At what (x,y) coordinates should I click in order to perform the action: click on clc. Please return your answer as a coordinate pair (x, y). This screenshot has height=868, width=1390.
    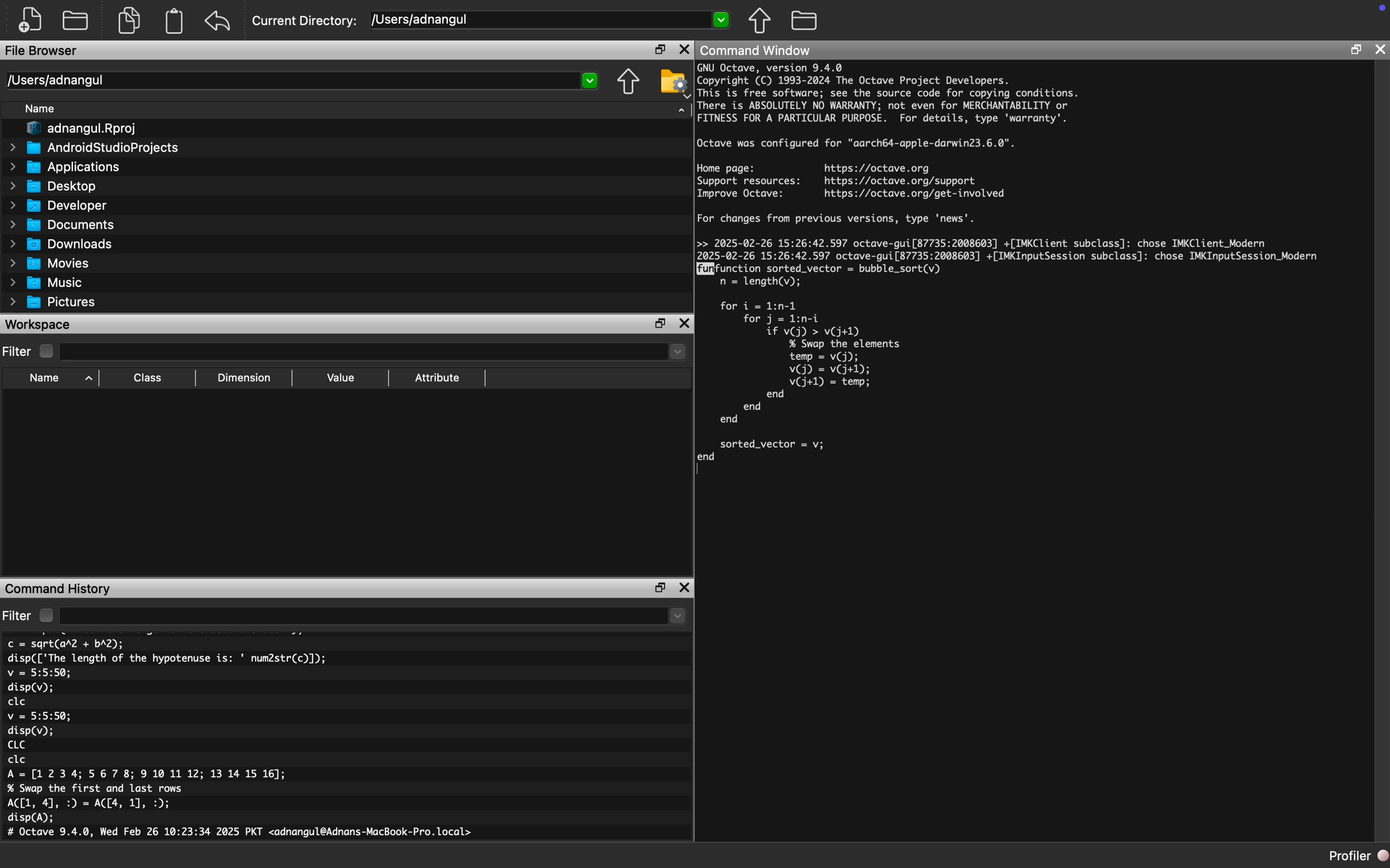
    Looking at the image, I should click on (18, 760).